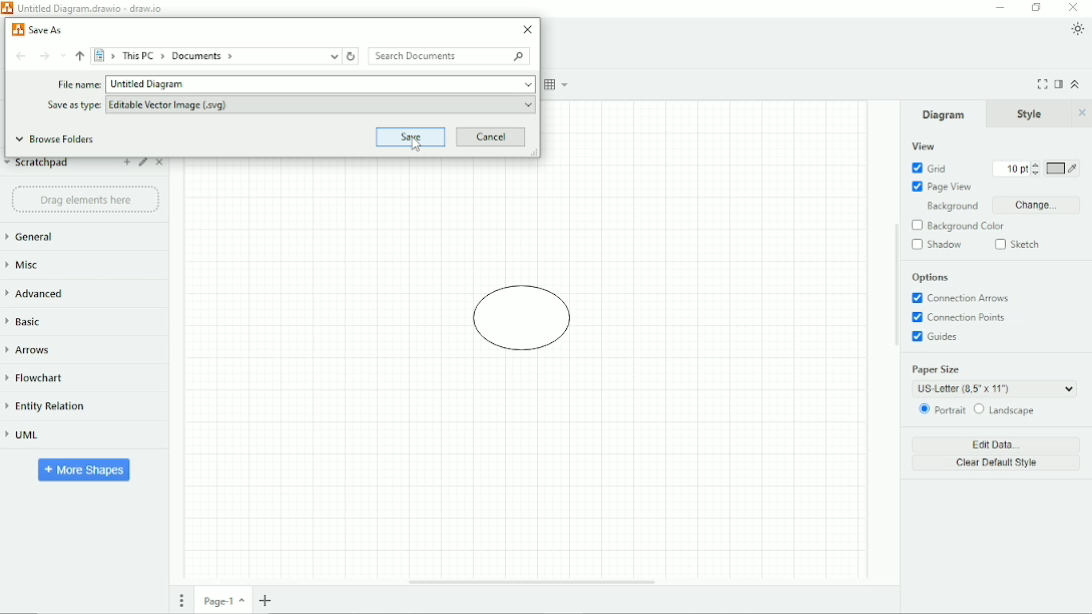 This screenshot has height=614, width=1092. What do you see at coordinates (46, 406) in the screenshot?
I see `Entity Relation` at bounding box center [46, 406].